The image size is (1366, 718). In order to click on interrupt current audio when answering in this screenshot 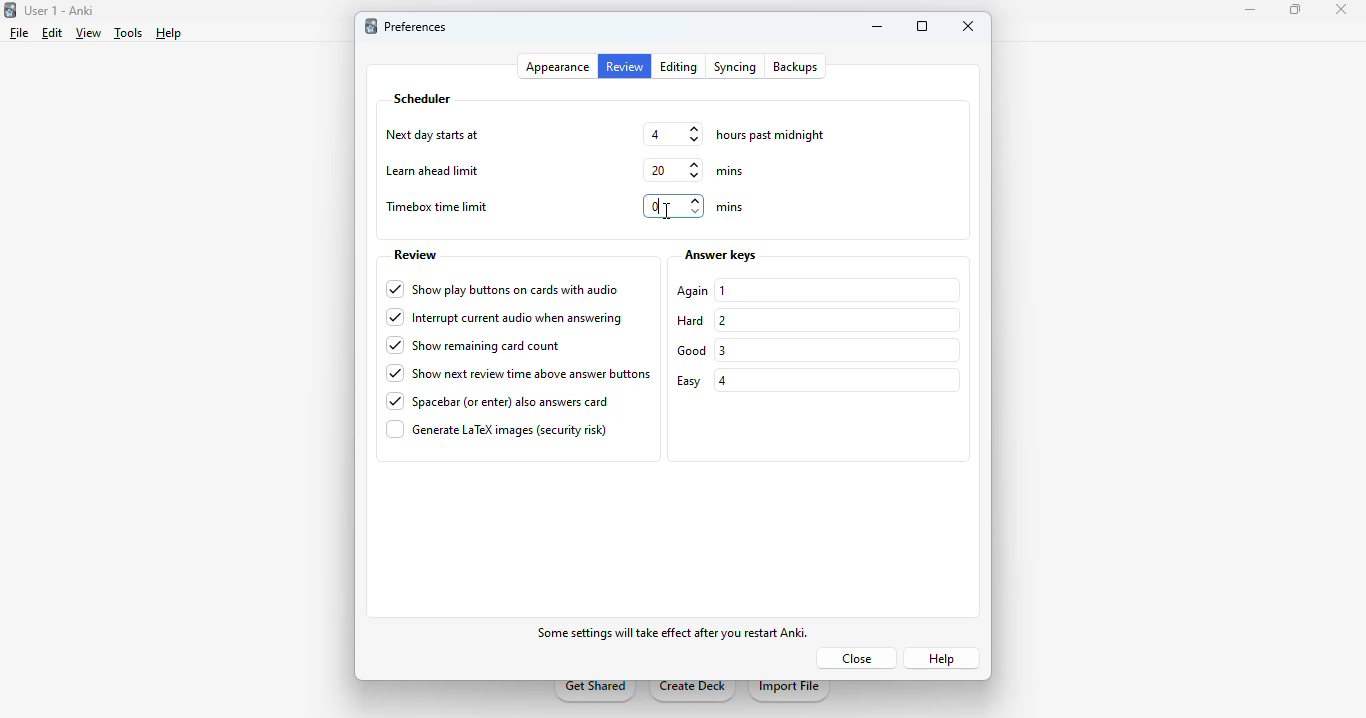, I will do `click(506, 317)`.